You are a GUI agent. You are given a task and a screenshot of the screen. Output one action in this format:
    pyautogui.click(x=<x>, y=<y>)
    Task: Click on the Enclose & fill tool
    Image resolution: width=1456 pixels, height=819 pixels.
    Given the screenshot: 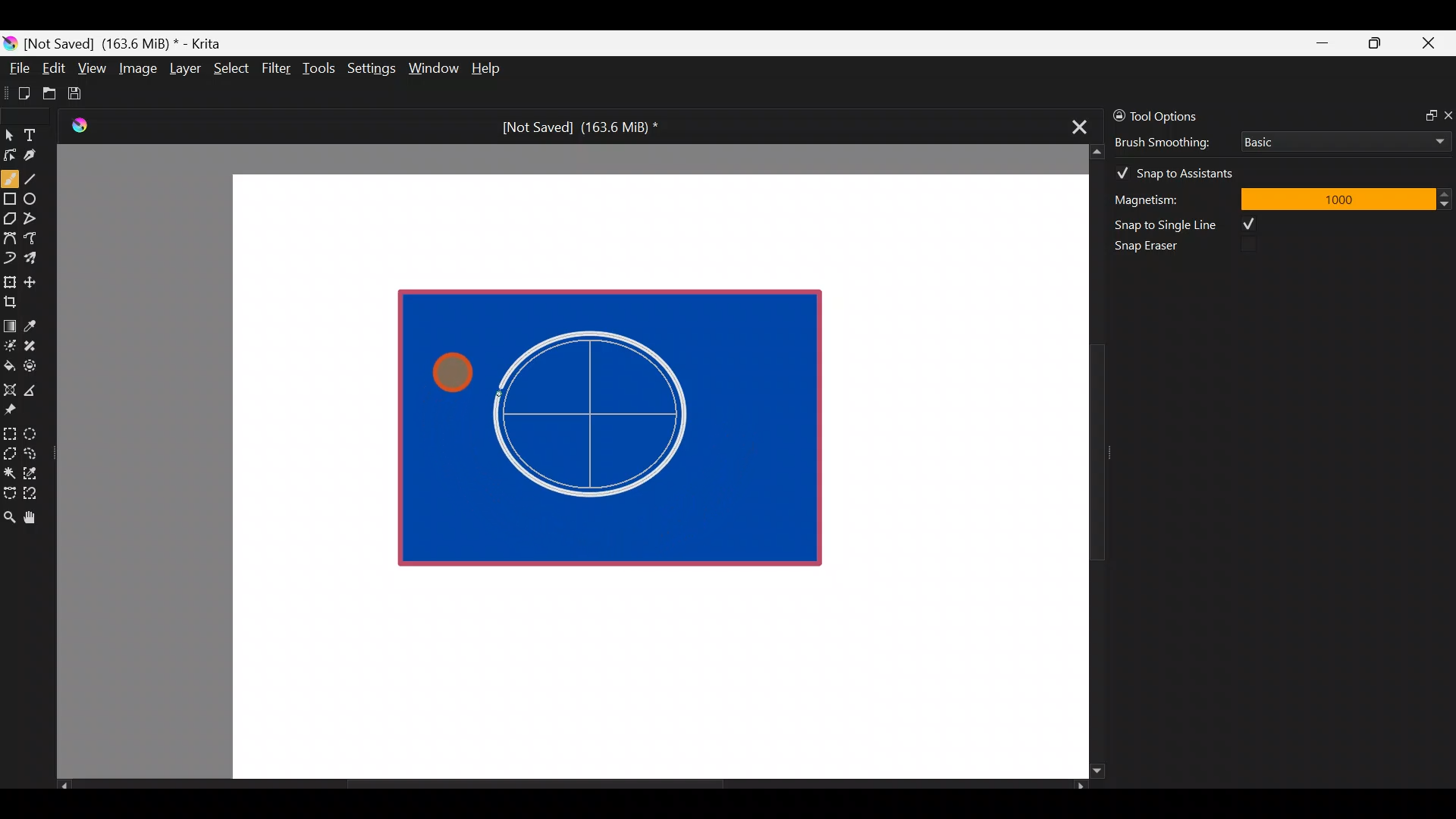 What is the action you would take?
    pyautogui.click(x=33, y=363)
    